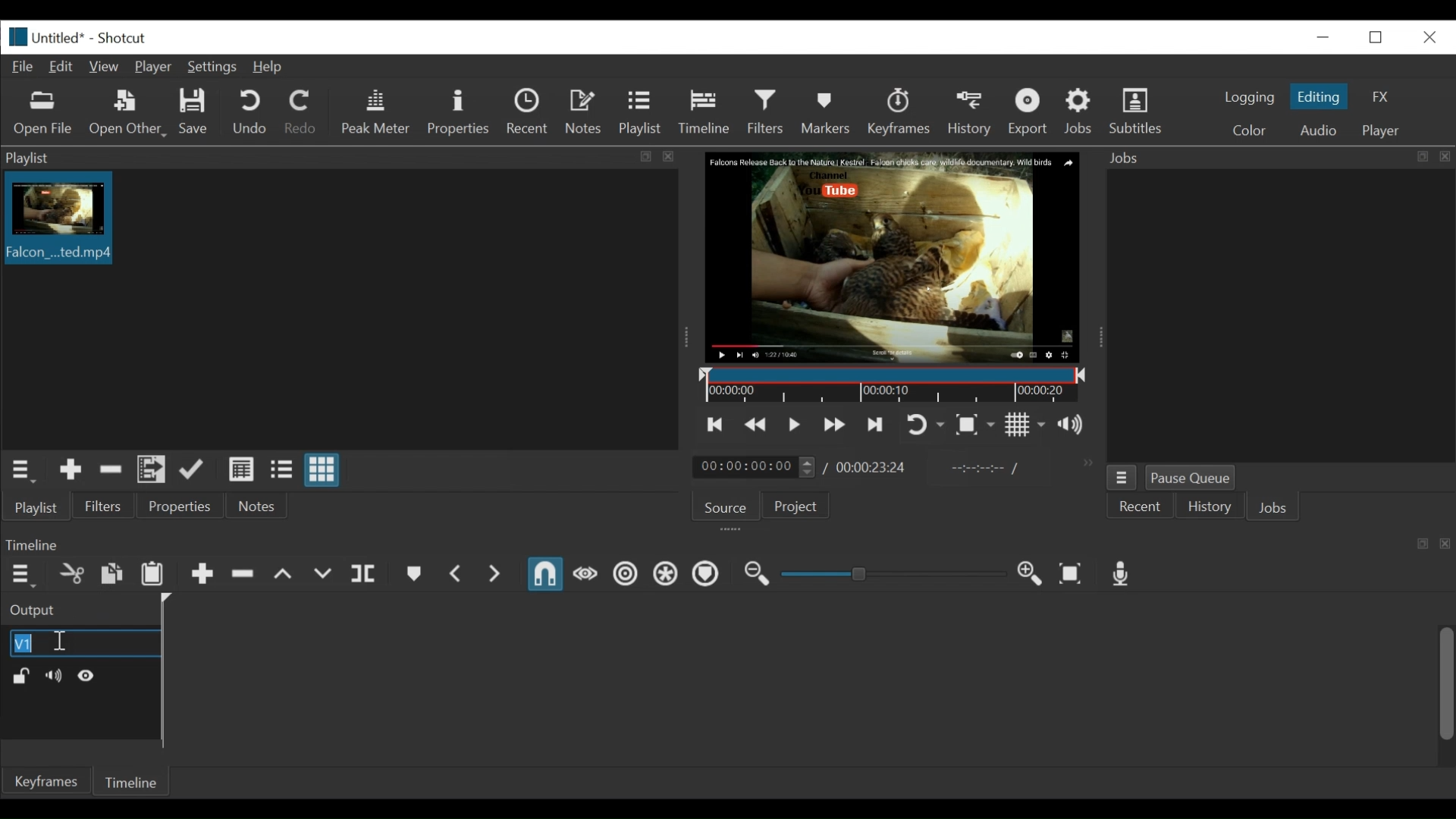 This screenshot has height=819, width=1456. What do you see at coordinates (836, 424) in the screenshot?
I see `Skip to the next point` at bounding box center [836, 424].